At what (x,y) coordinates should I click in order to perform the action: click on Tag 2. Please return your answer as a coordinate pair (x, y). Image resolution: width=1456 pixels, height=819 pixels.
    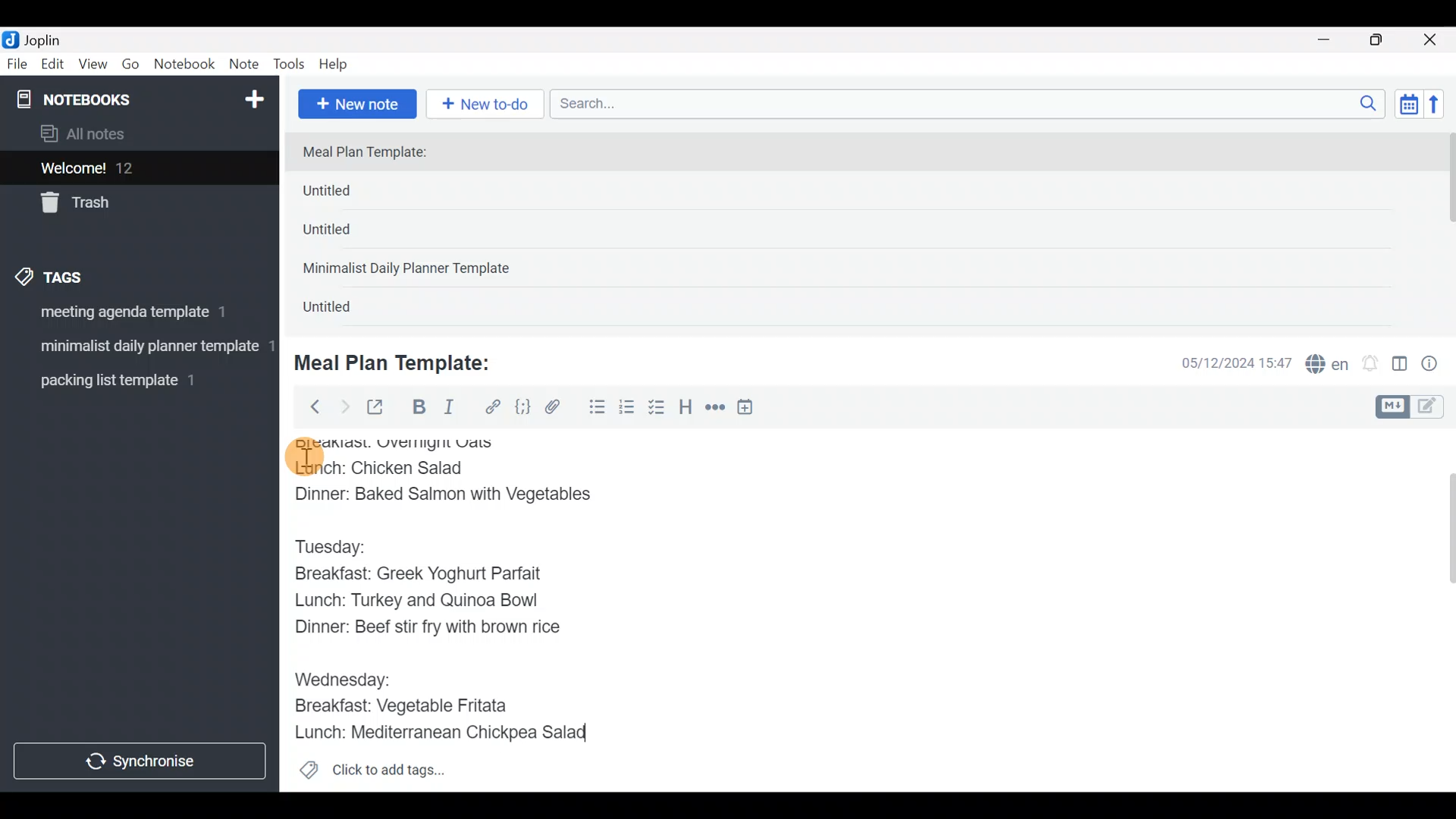
    Looking at the image, I should click on (139, 348).